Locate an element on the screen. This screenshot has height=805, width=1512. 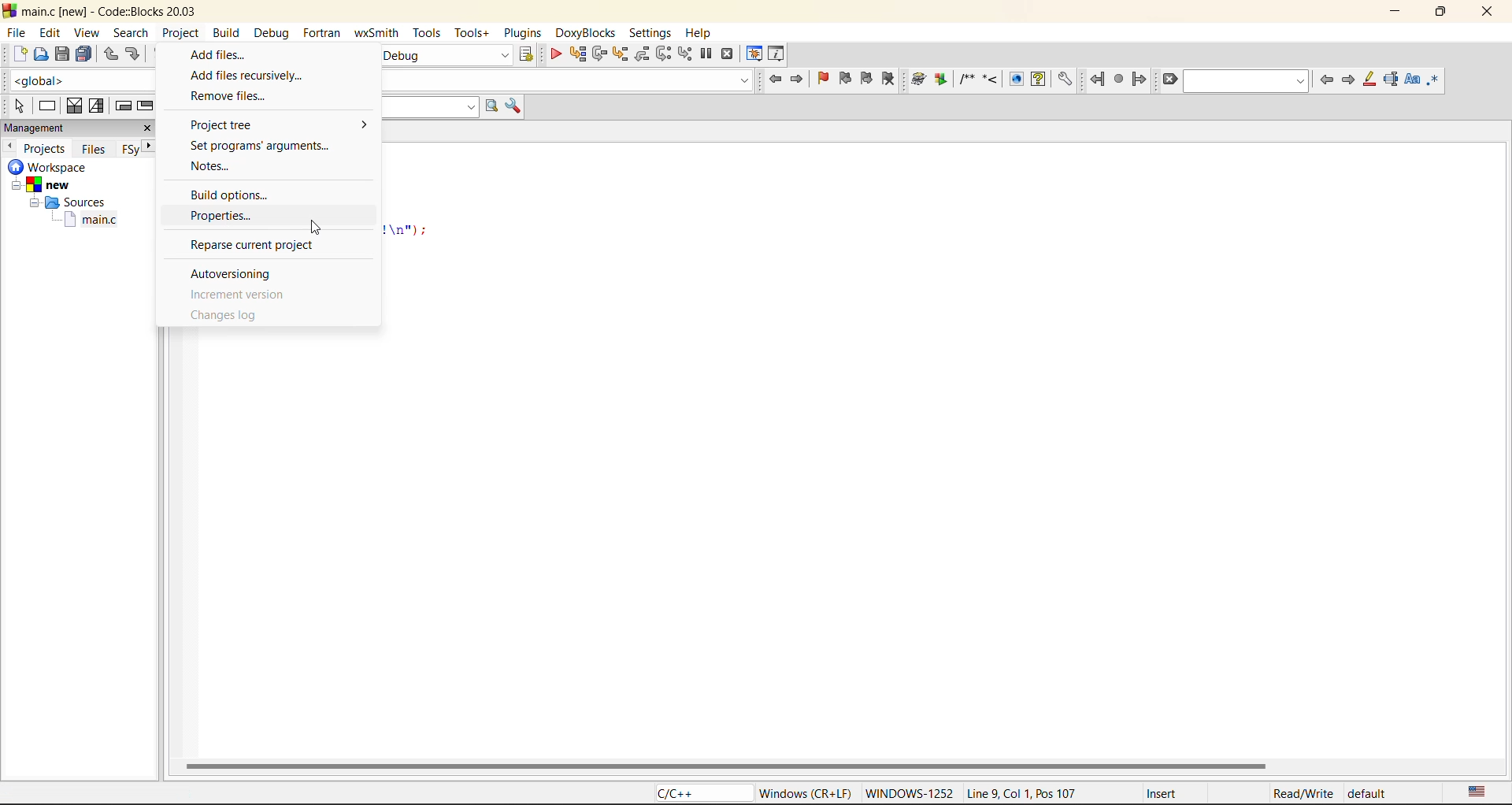
save is located at coordinates (61, 54).